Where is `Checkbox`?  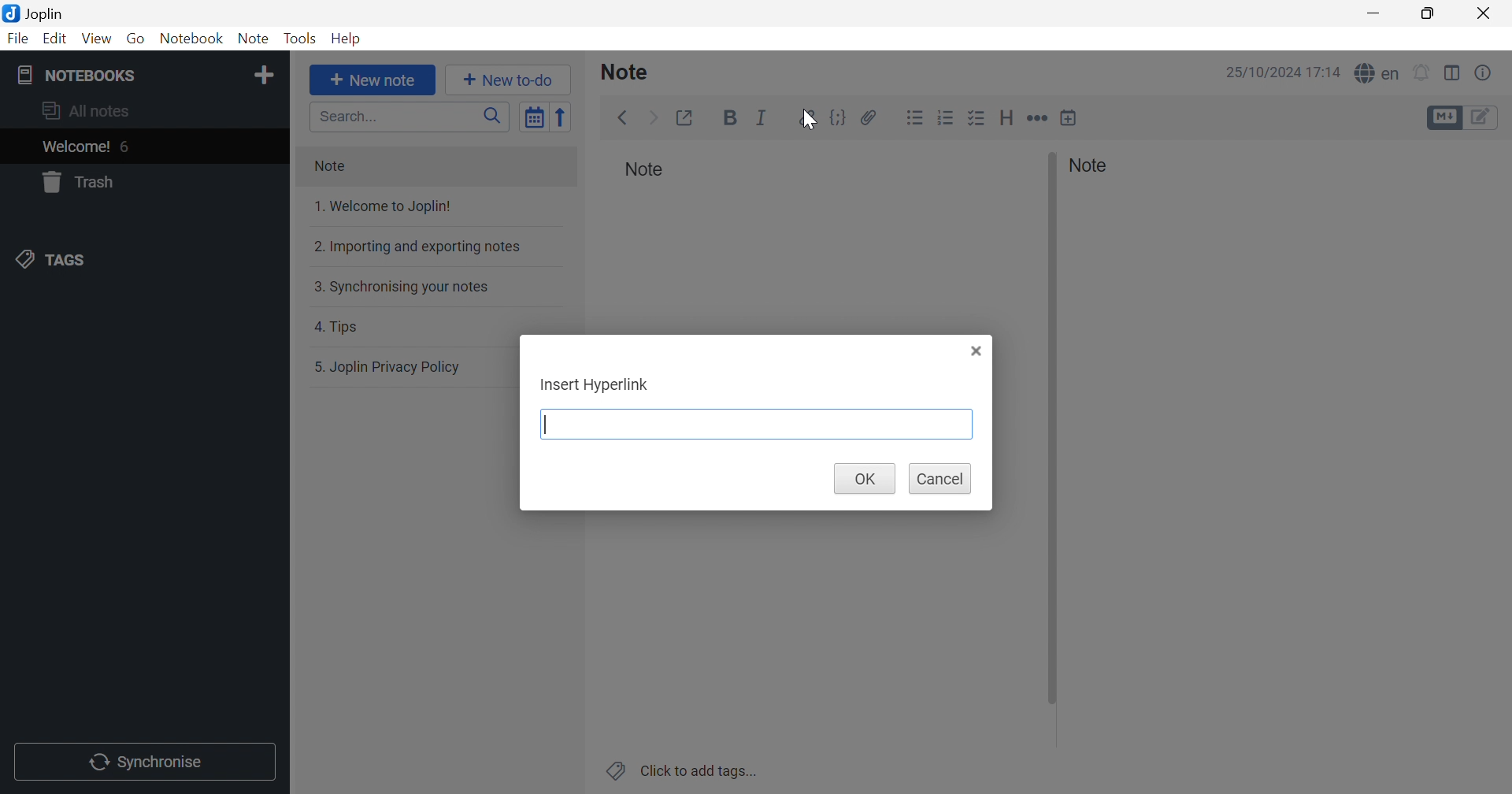
Checkbox is located at coordinates (977, 117).